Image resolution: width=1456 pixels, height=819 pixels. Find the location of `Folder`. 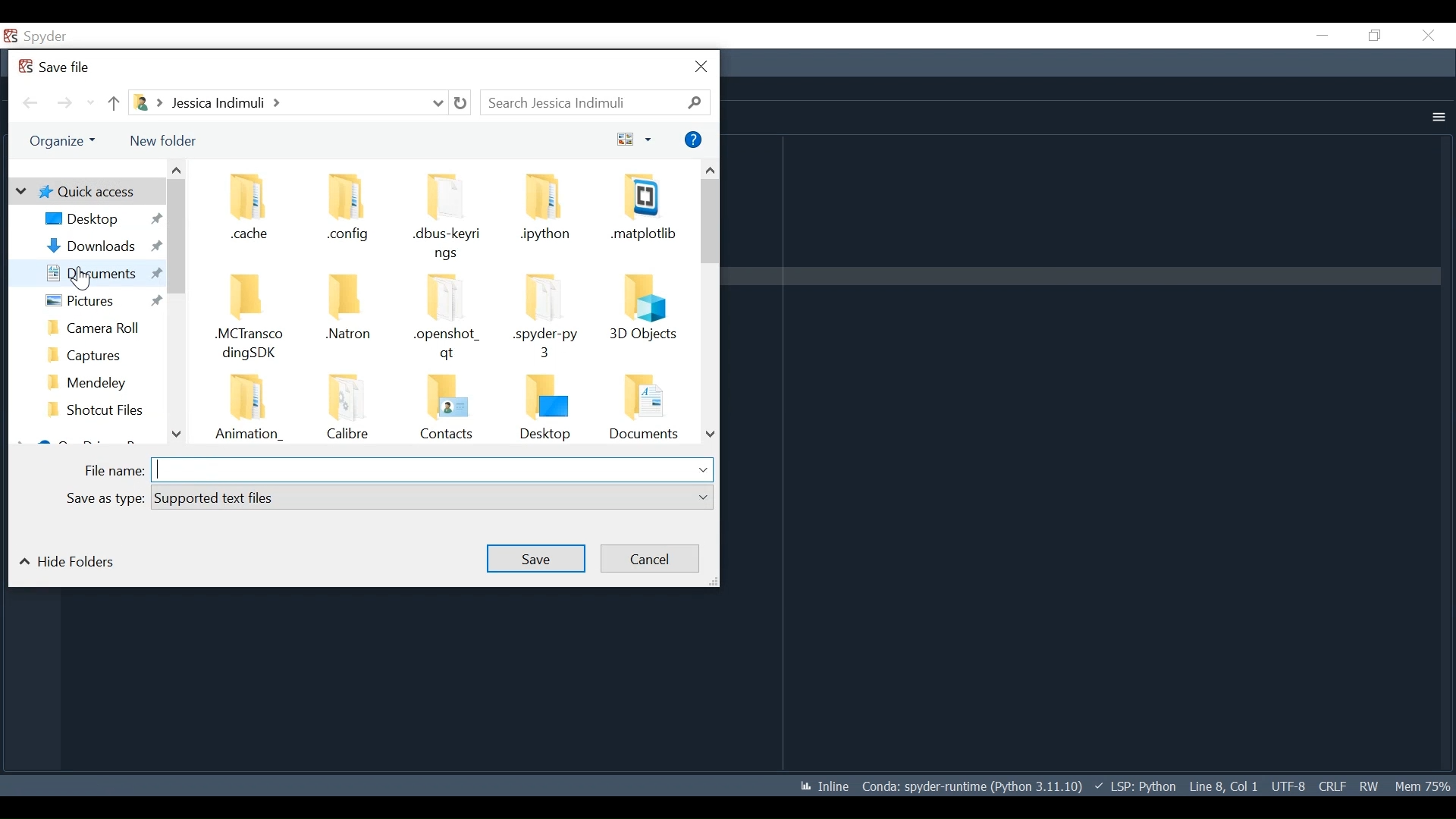

Folder is located at coordinates (96, 326).